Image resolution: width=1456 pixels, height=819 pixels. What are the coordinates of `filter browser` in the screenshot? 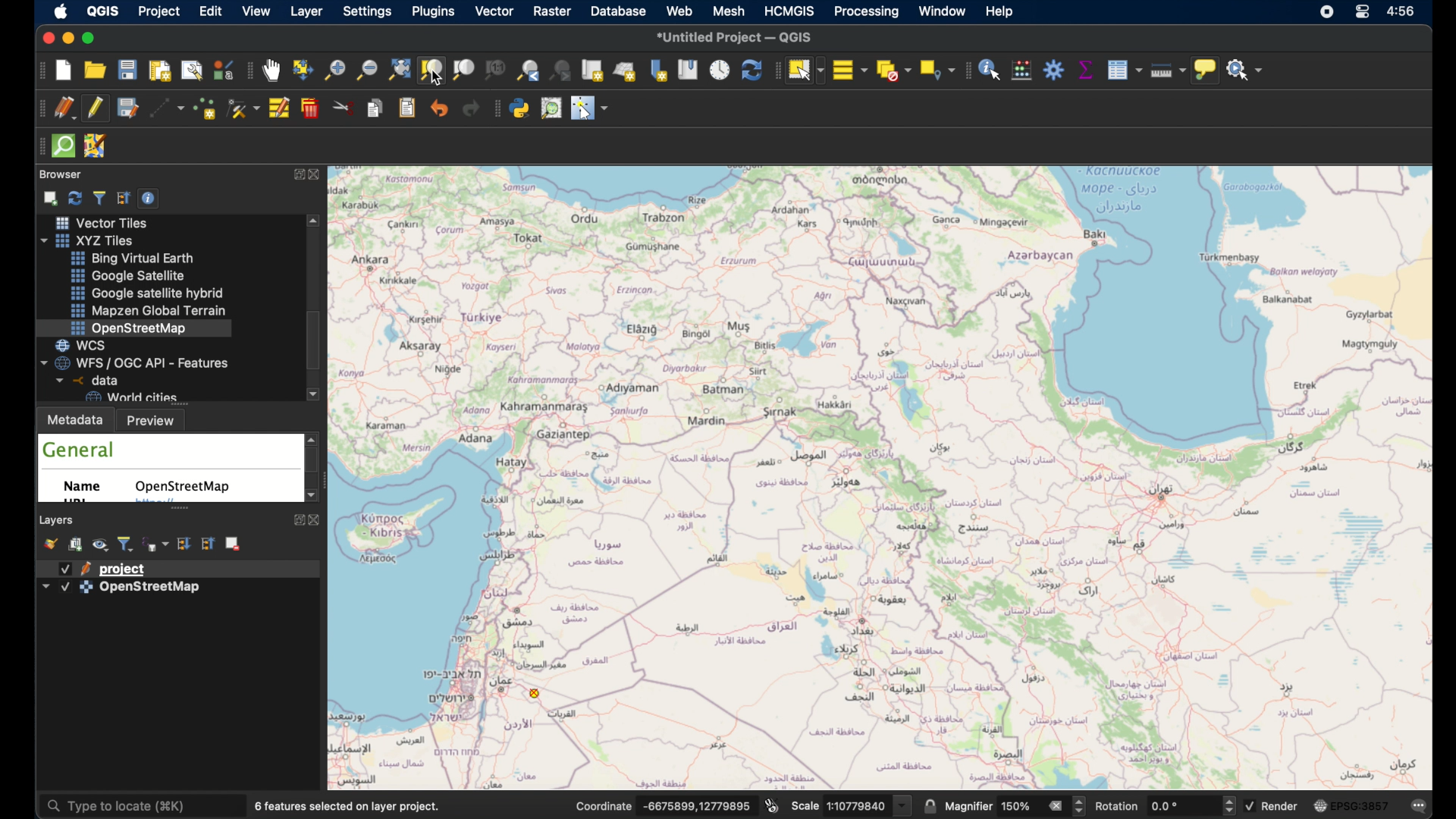 It's located at (99, 196).